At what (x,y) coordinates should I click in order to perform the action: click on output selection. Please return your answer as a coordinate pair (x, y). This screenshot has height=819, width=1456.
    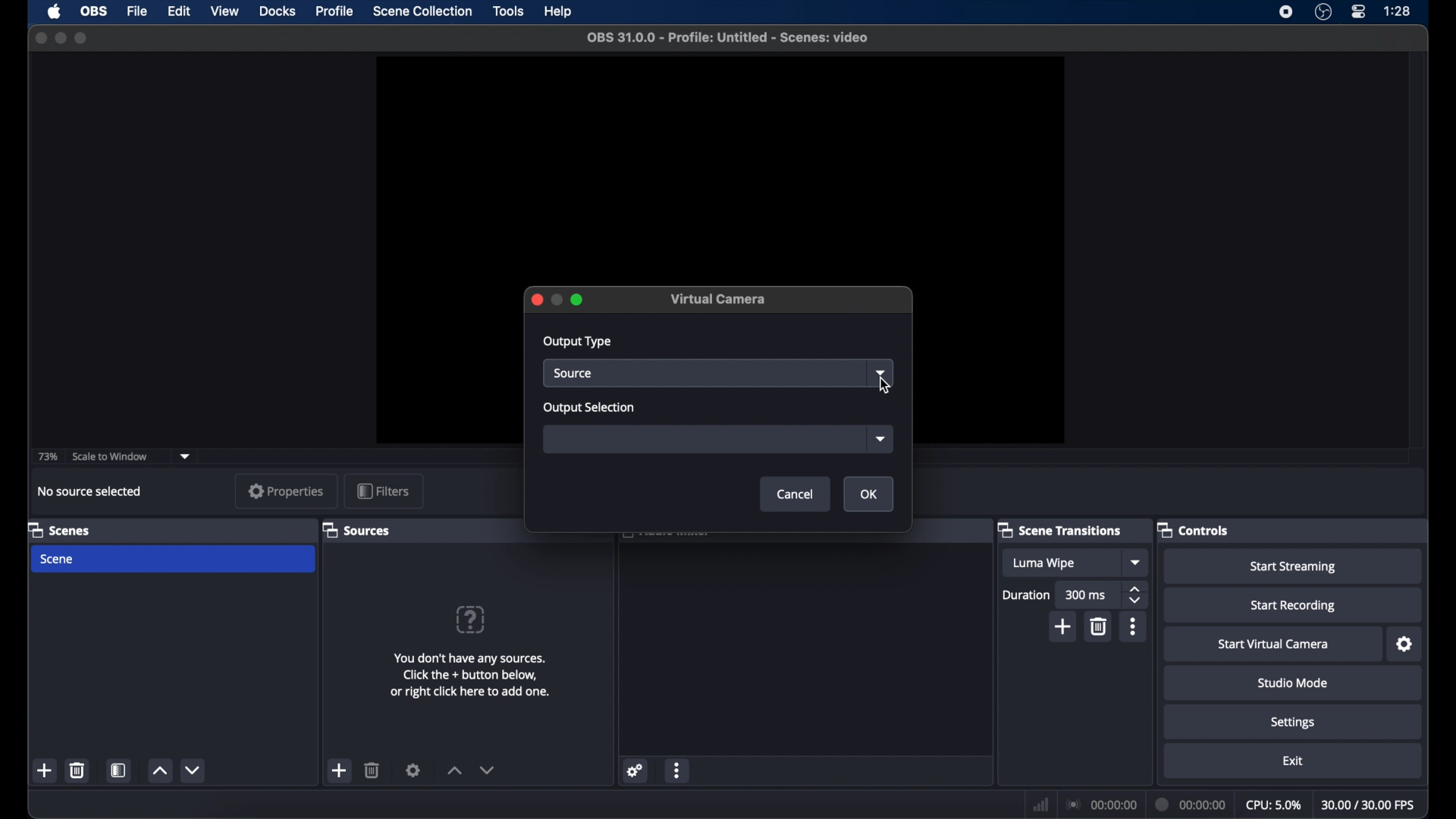
    Looking at the image, I should click on (591, 409).